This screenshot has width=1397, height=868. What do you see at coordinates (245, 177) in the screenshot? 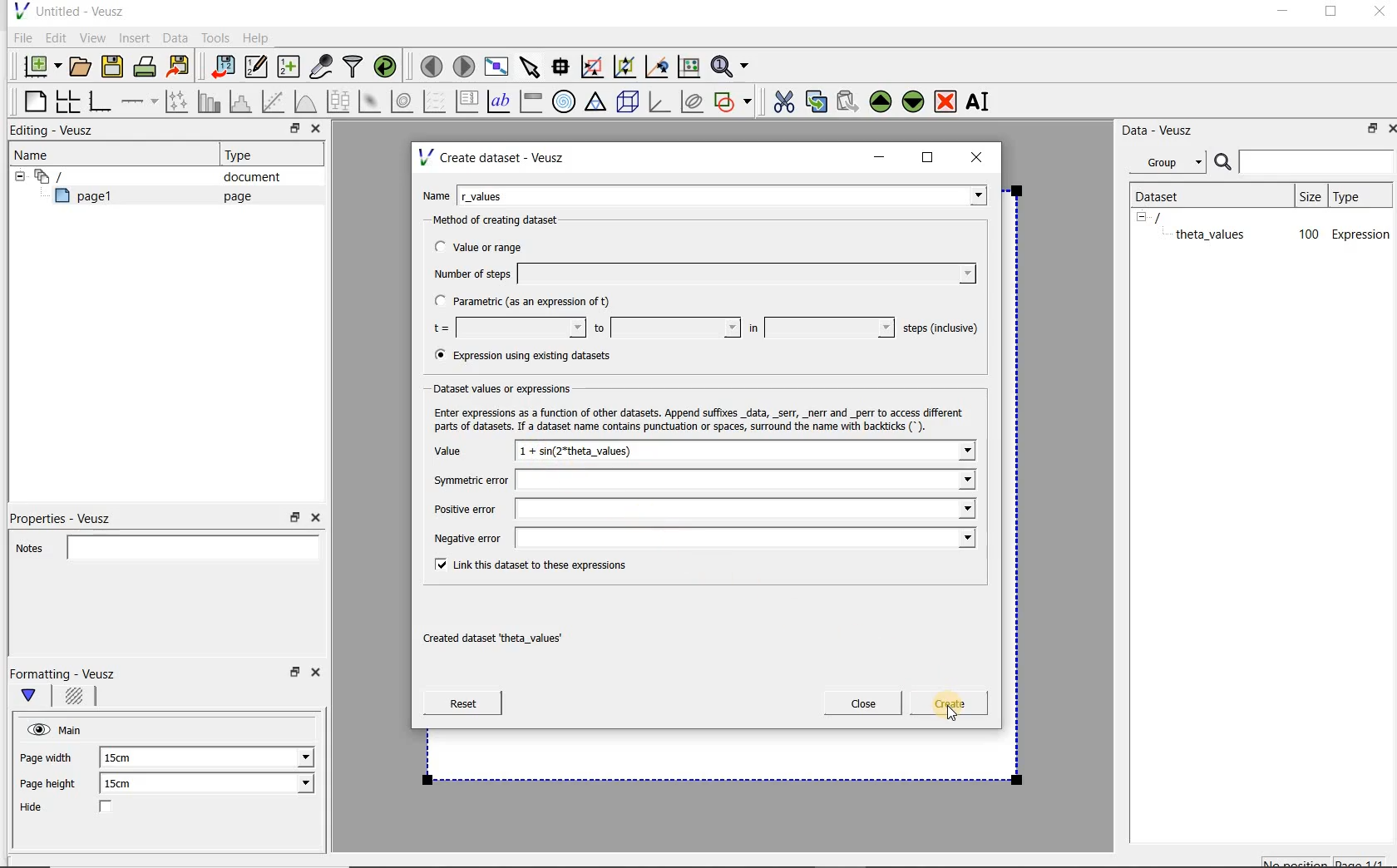
I see `document` at bounding box center [245, 177].